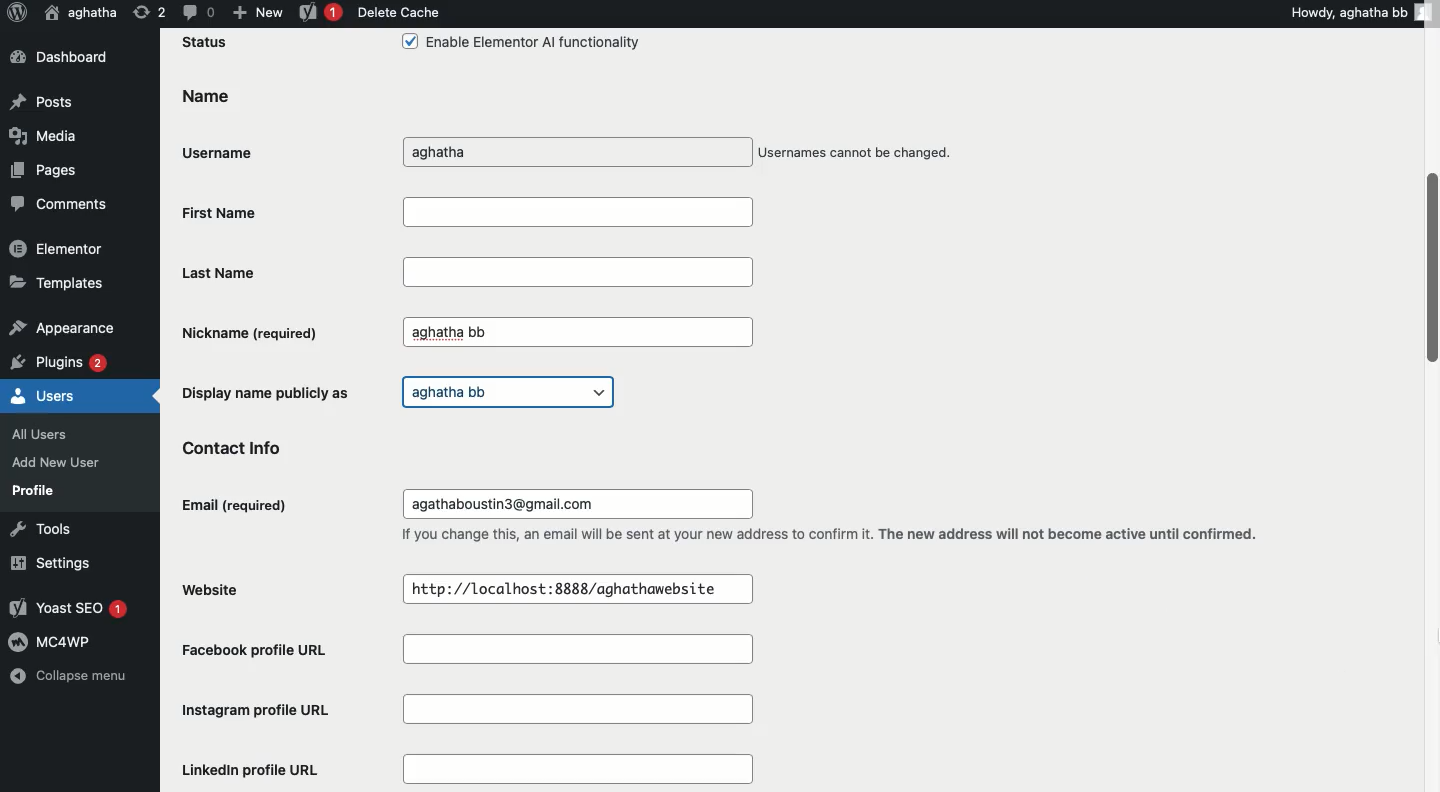 The image size is (1440, 792). Describe the element at coordinates (150, 11) in the screenshot. I see `Revision` at that location.